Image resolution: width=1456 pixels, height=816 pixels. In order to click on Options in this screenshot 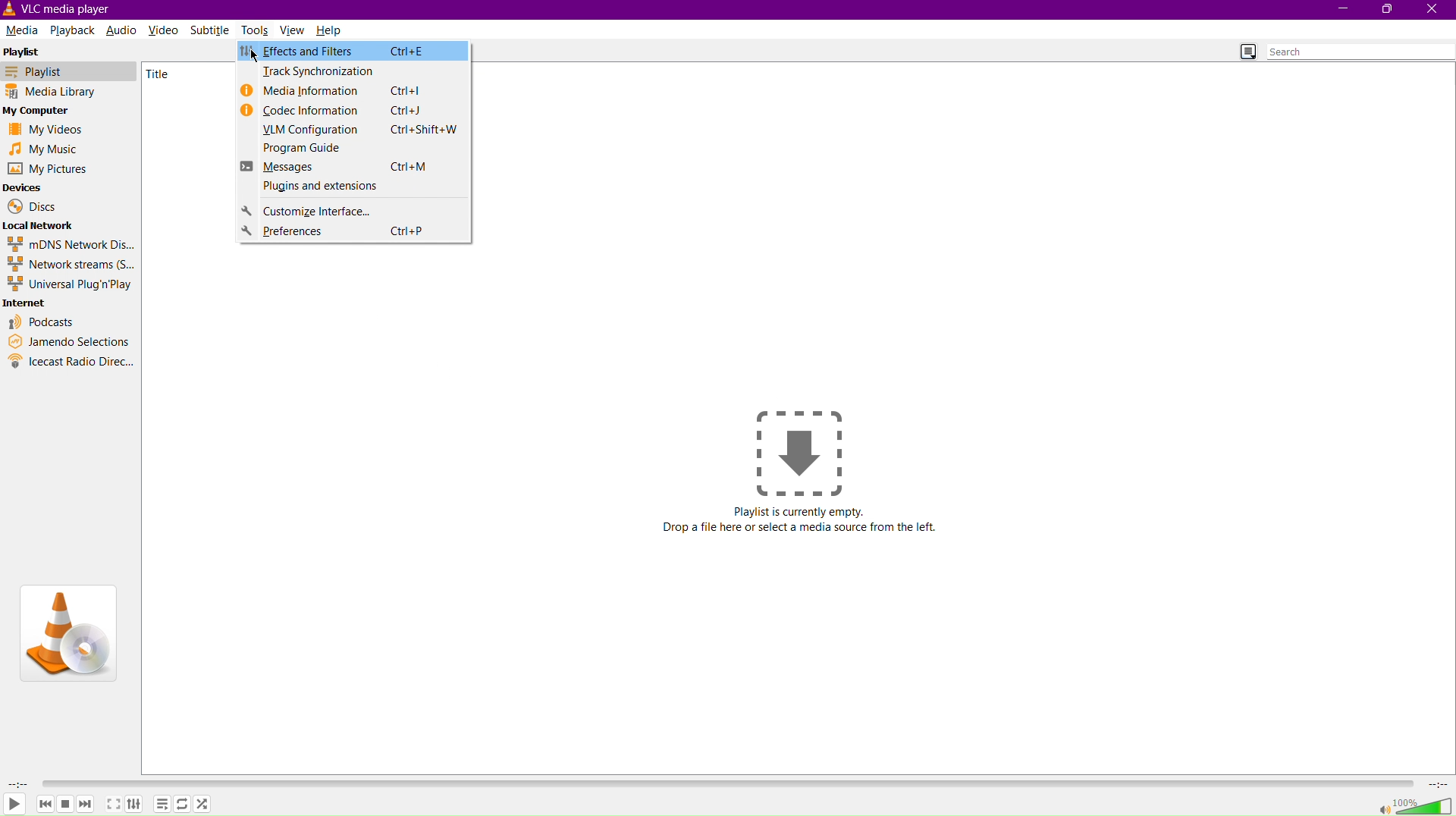, I will do `click(161, 803)`.